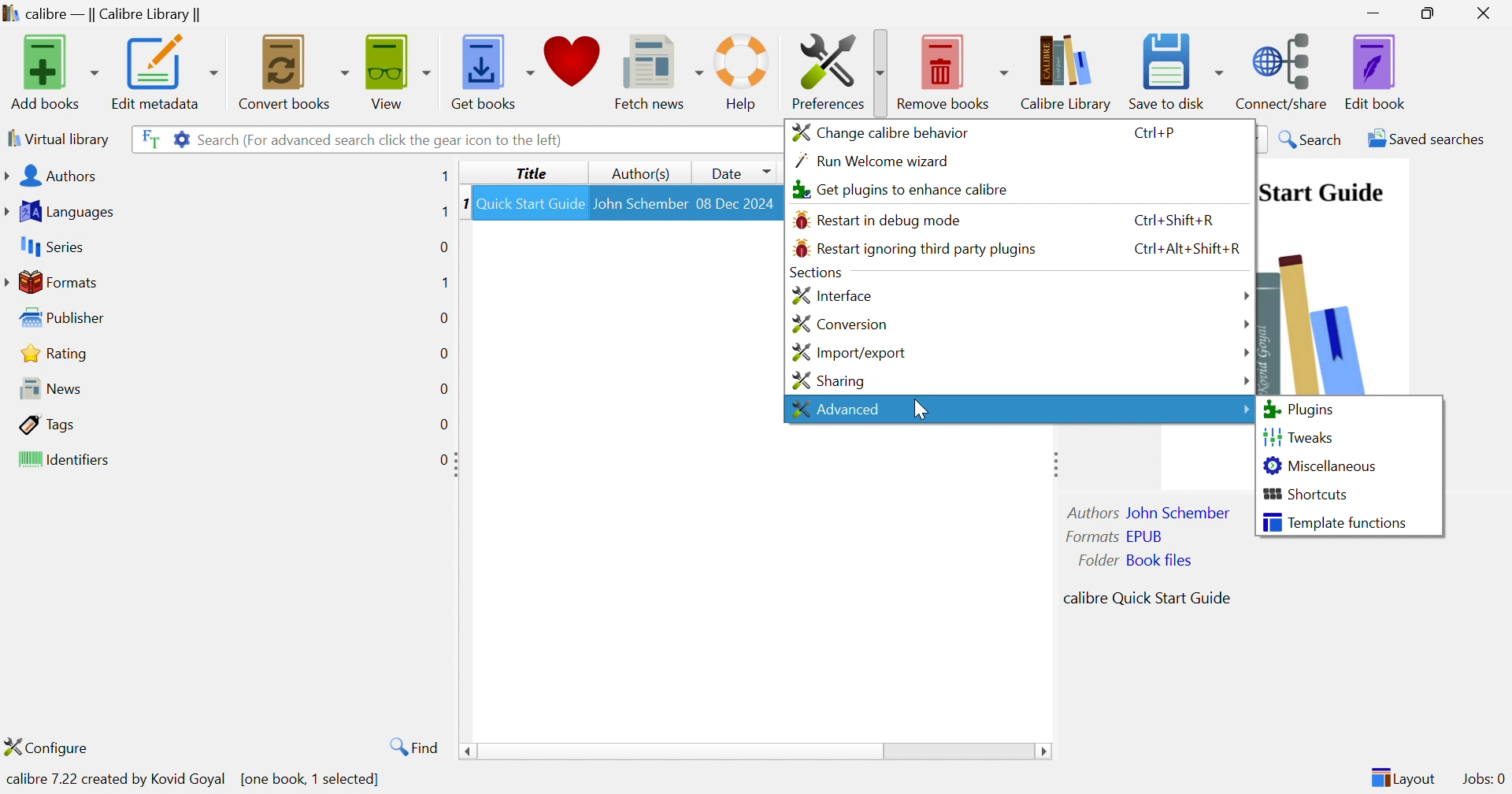 This screenshot has height=794, width=1512. What do you see at coordinates (147, 138) in the screenshot?
I see `Search the full text of all books in the library, not just their metadata` at bounding box center [147, 138].